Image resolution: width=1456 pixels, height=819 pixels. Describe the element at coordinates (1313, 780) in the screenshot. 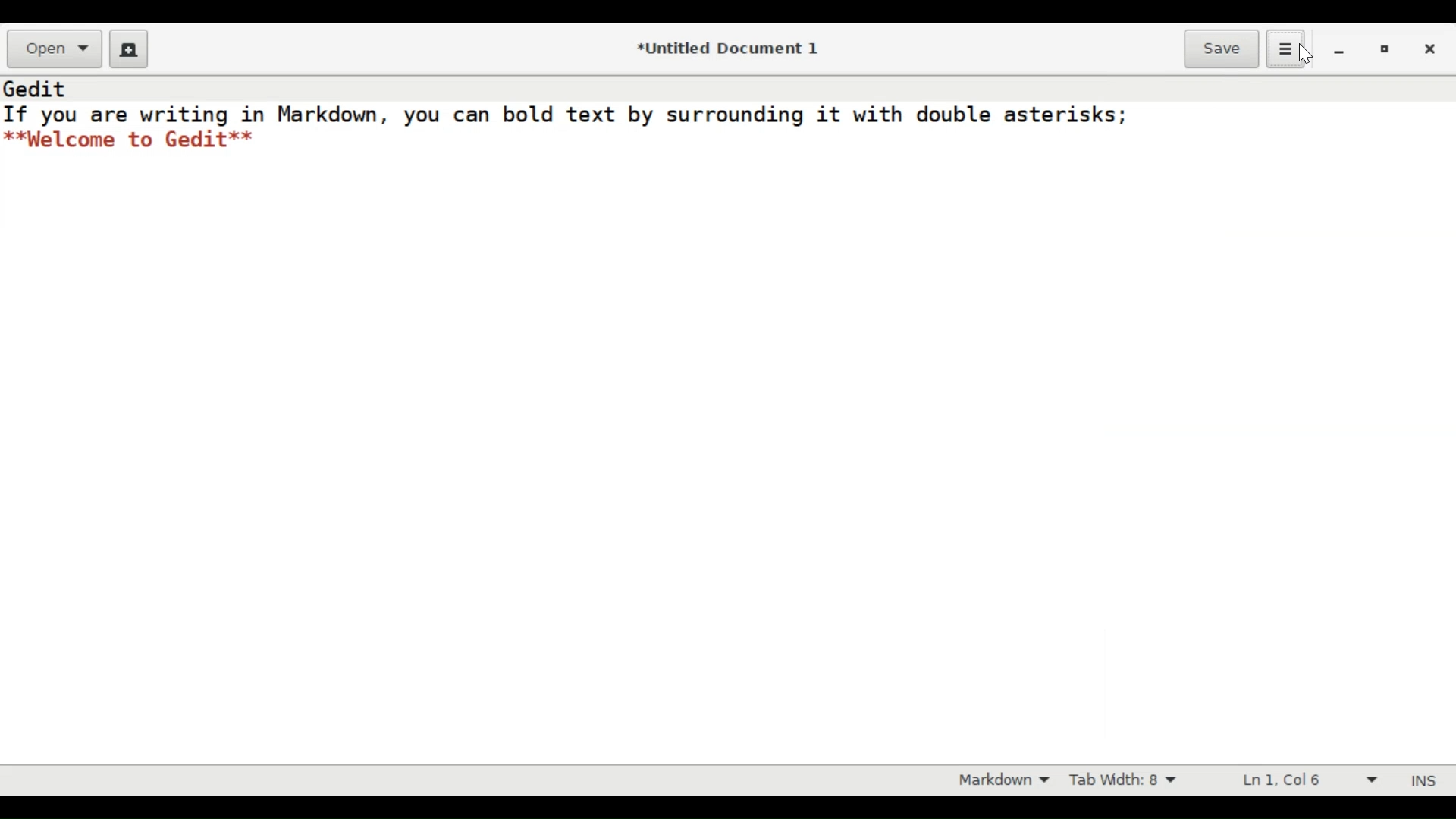

I see `Line and Column Preference` at that location.